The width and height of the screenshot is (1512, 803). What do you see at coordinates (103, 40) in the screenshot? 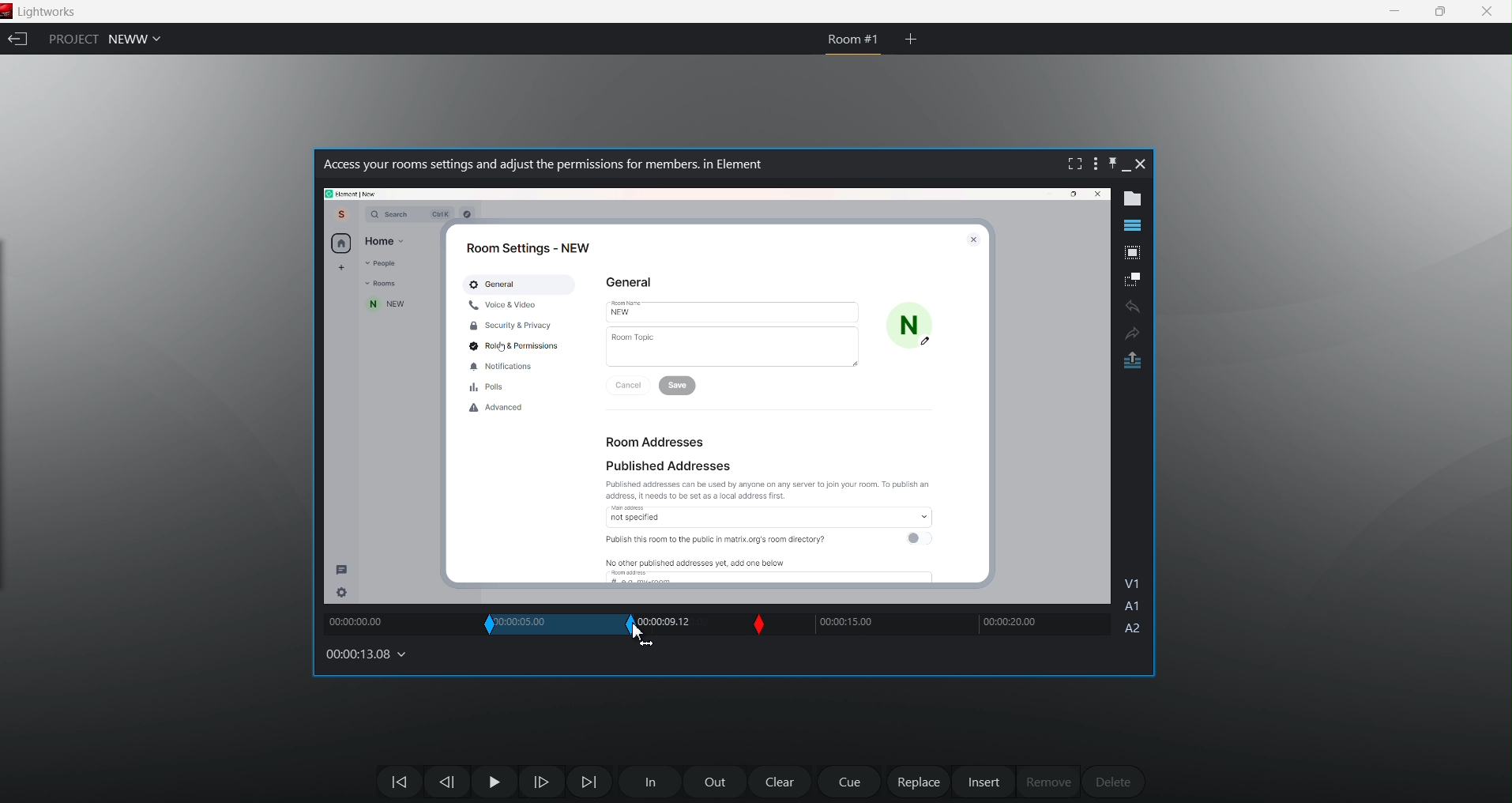
I see ` project  NEWW` at bounding box center [103, 40].